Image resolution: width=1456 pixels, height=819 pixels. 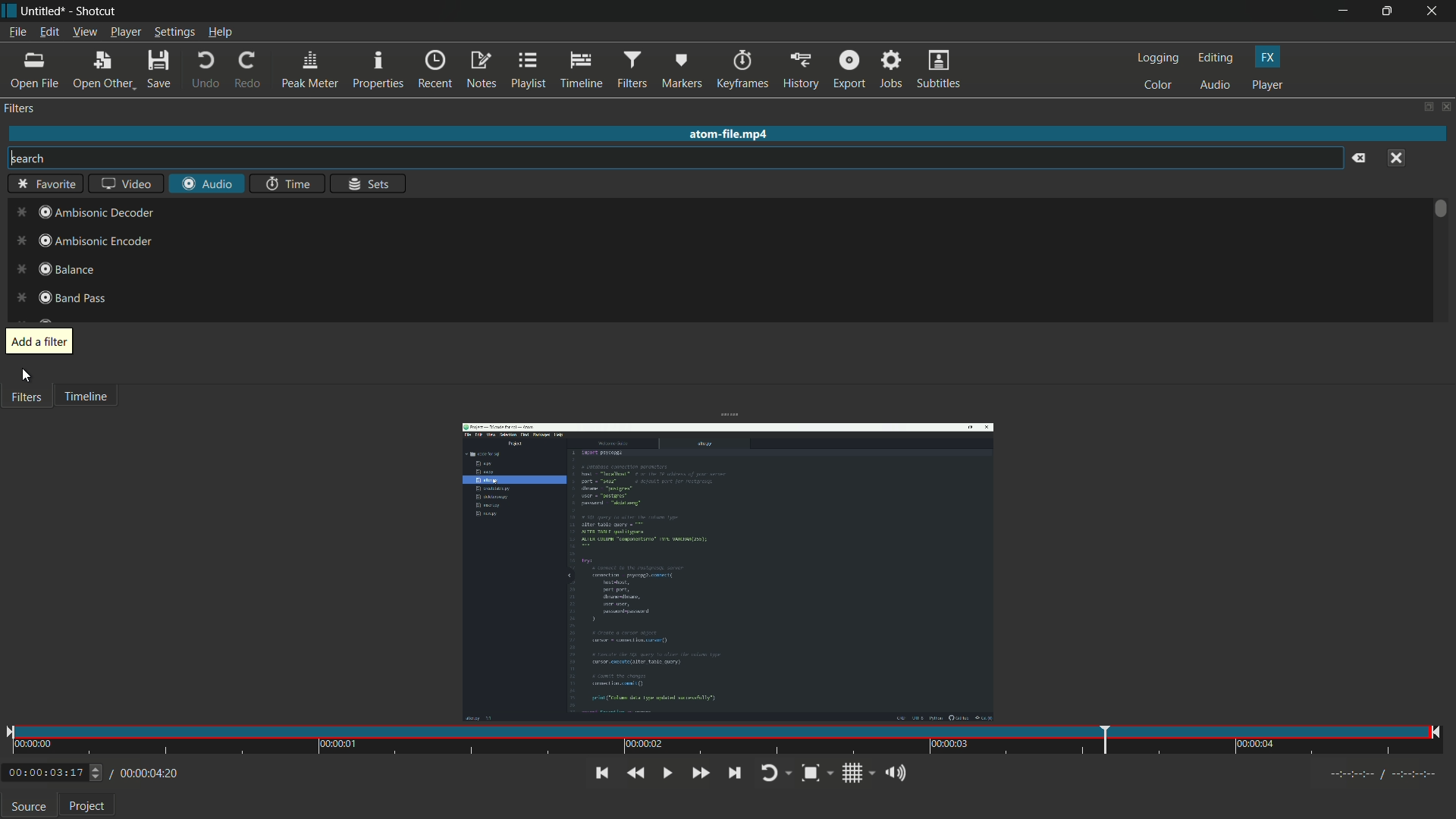 What do you see at coordinates (285, 184) in the screenshot?
I see `time` at bounding box center [285, 184].